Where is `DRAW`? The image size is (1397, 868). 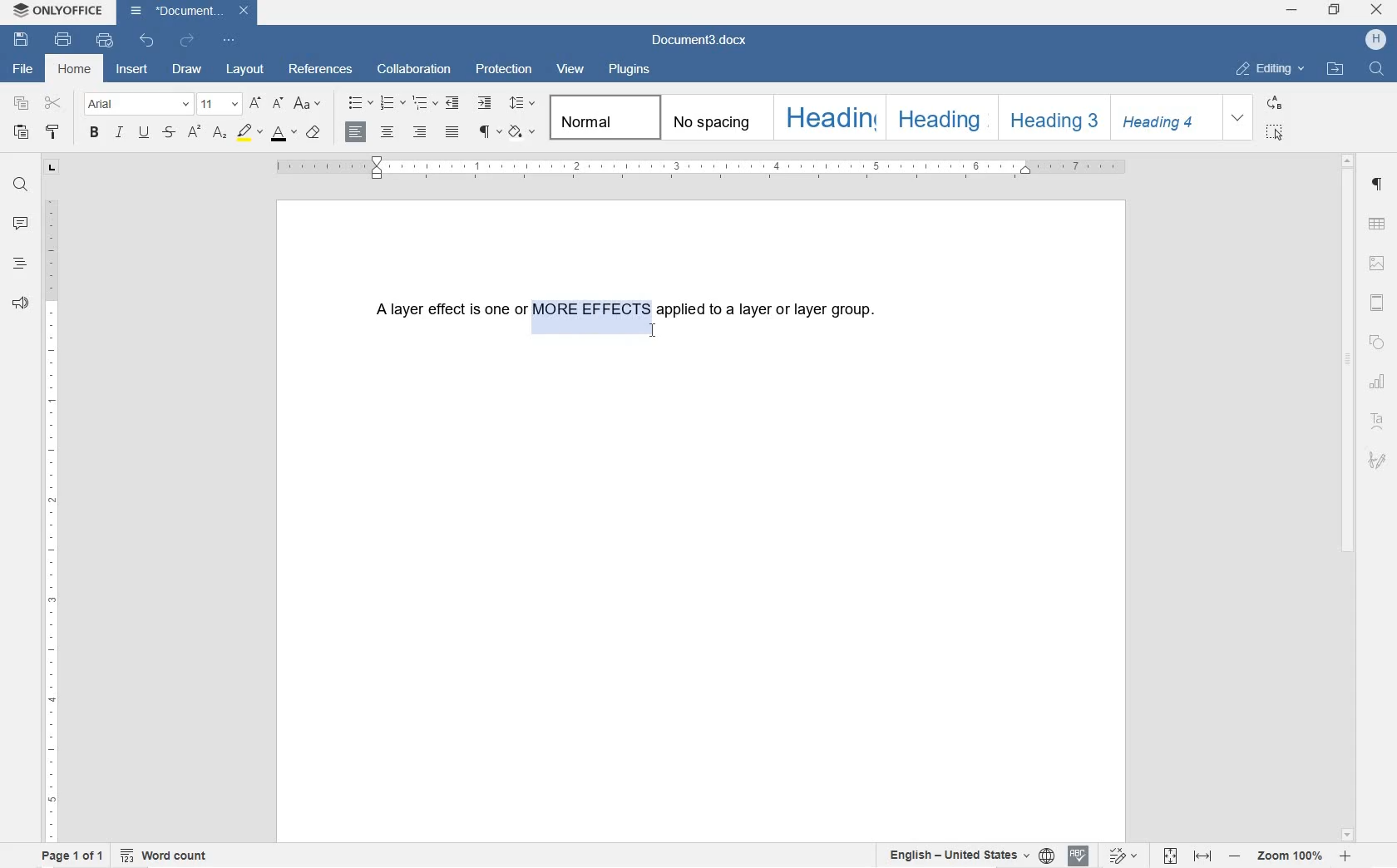 DRAW is located at coordinates (187, 68).